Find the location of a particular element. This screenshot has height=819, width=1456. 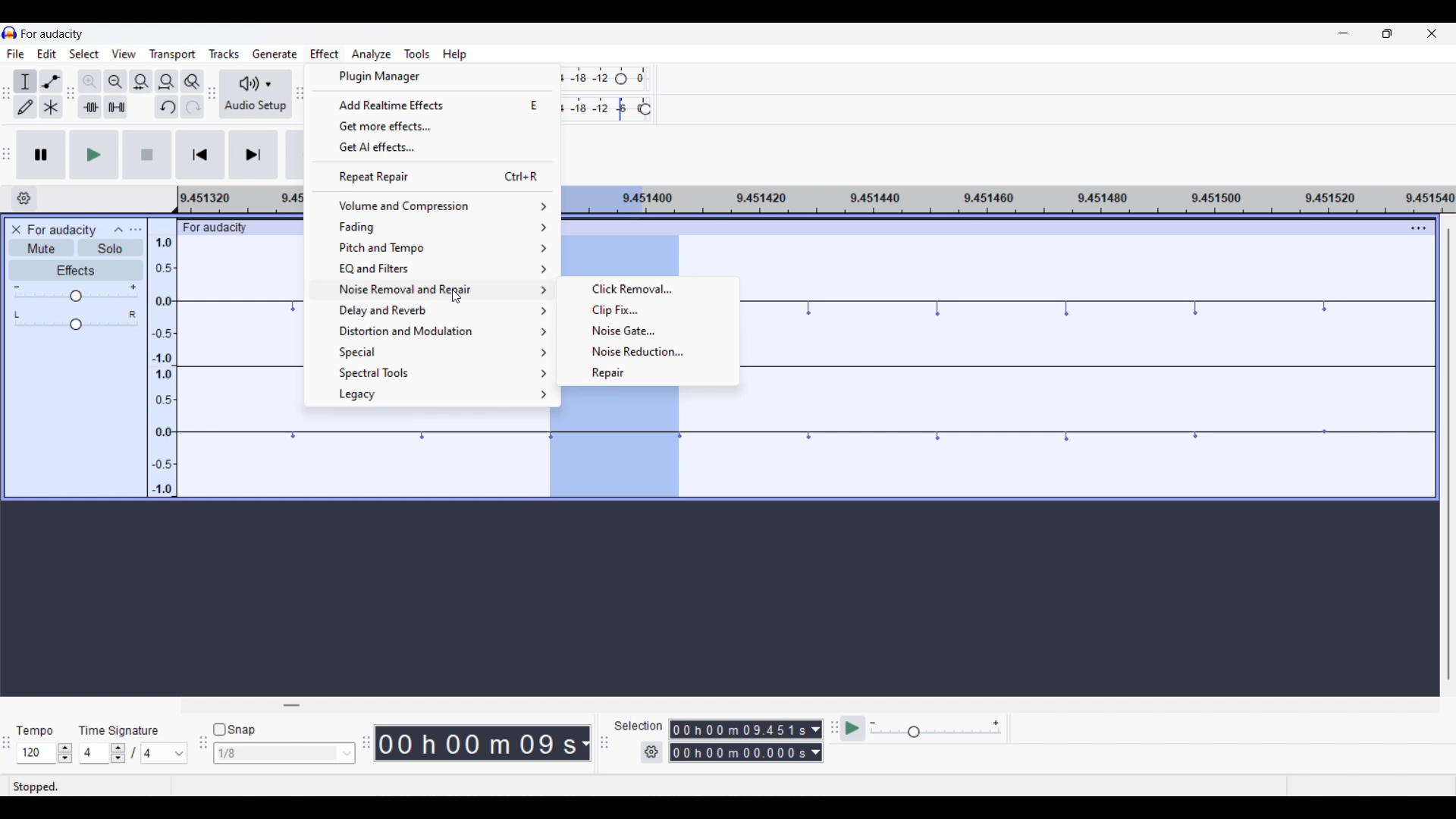

Skip/Select to end is located at coordinates (253, 155).